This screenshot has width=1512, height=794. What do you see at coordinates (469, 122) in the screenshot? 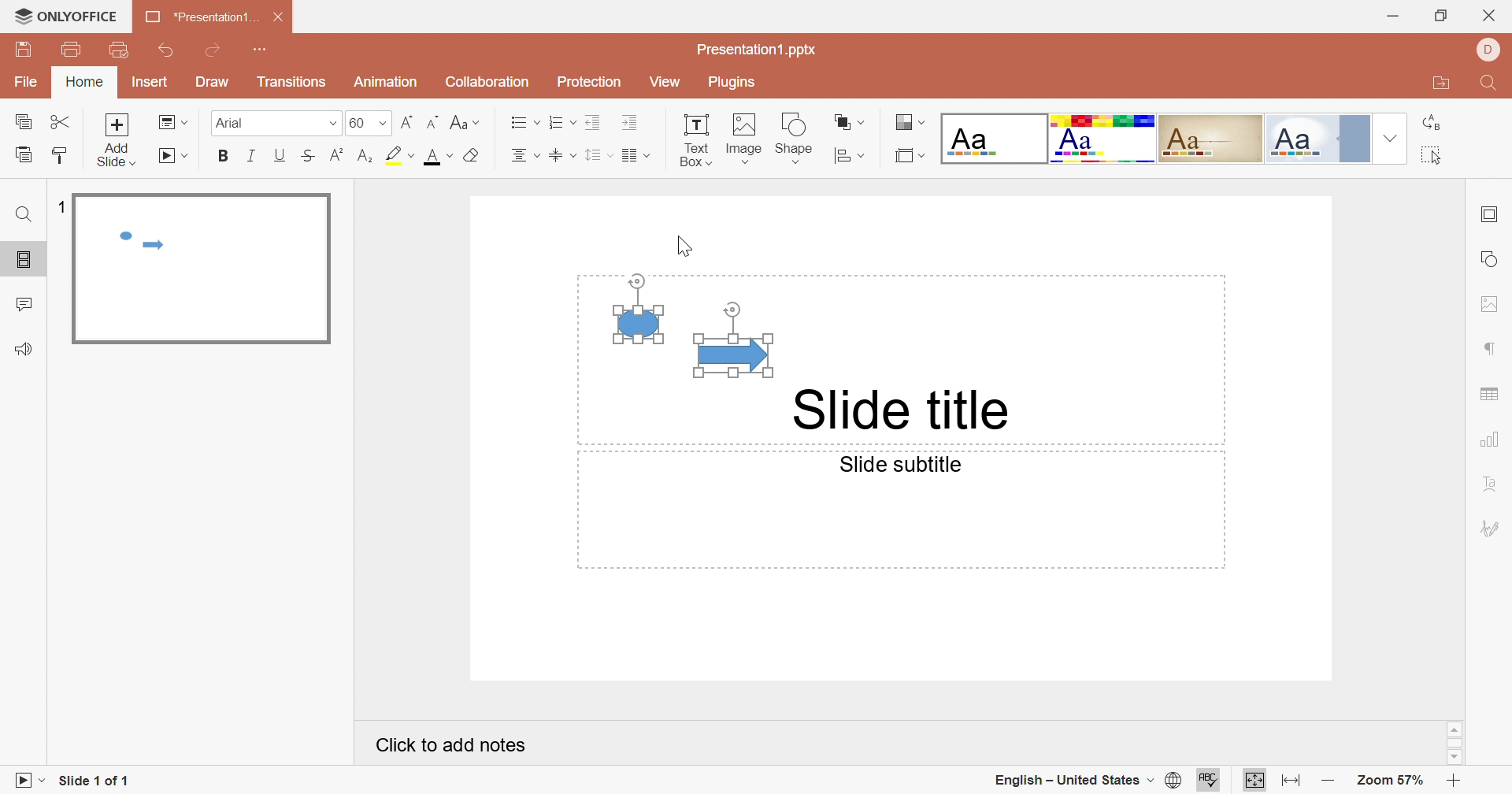
I see `Change case` at bounding box center [469, 122].